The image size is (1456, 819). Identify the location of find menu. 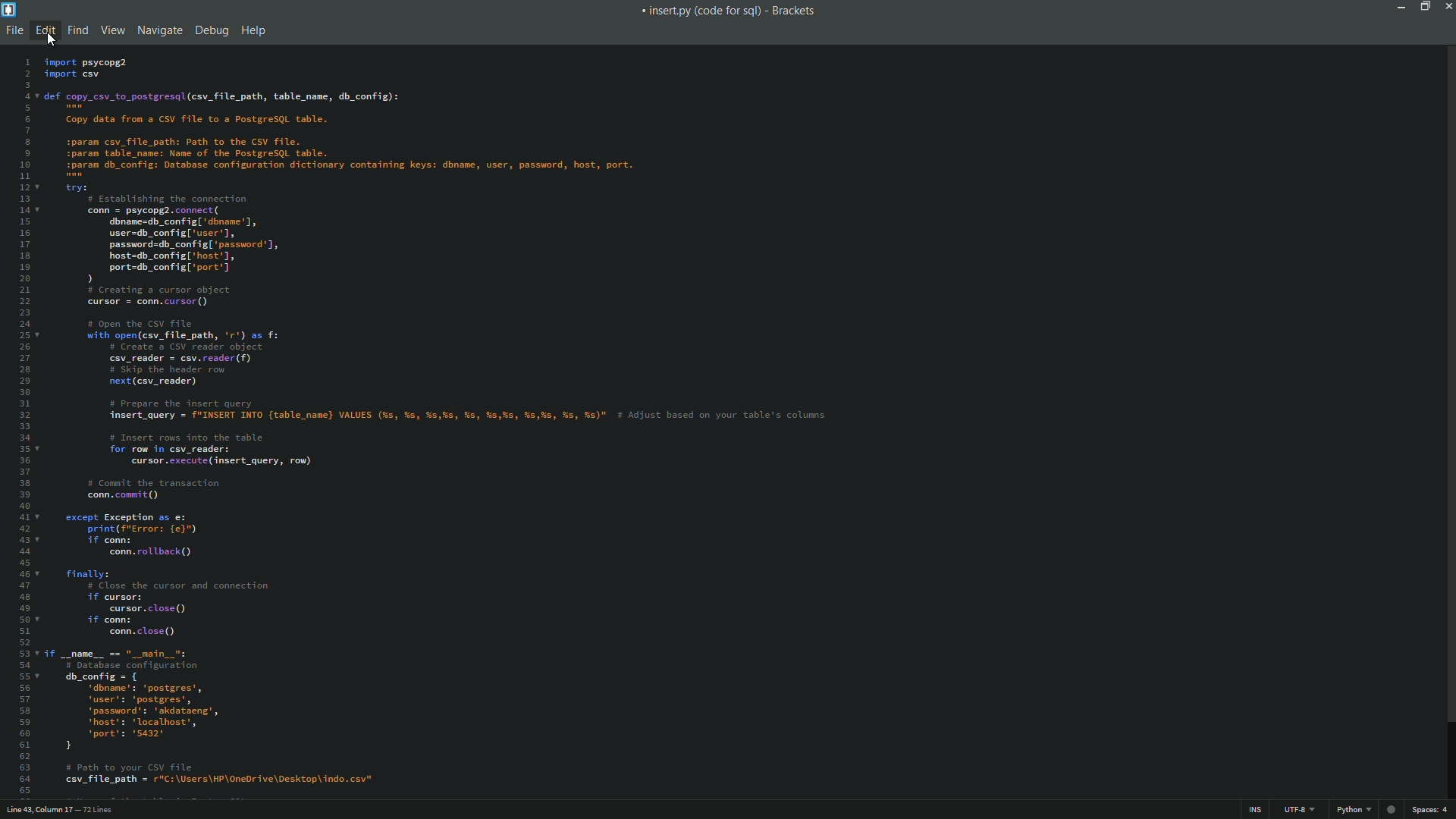
(78, 30).